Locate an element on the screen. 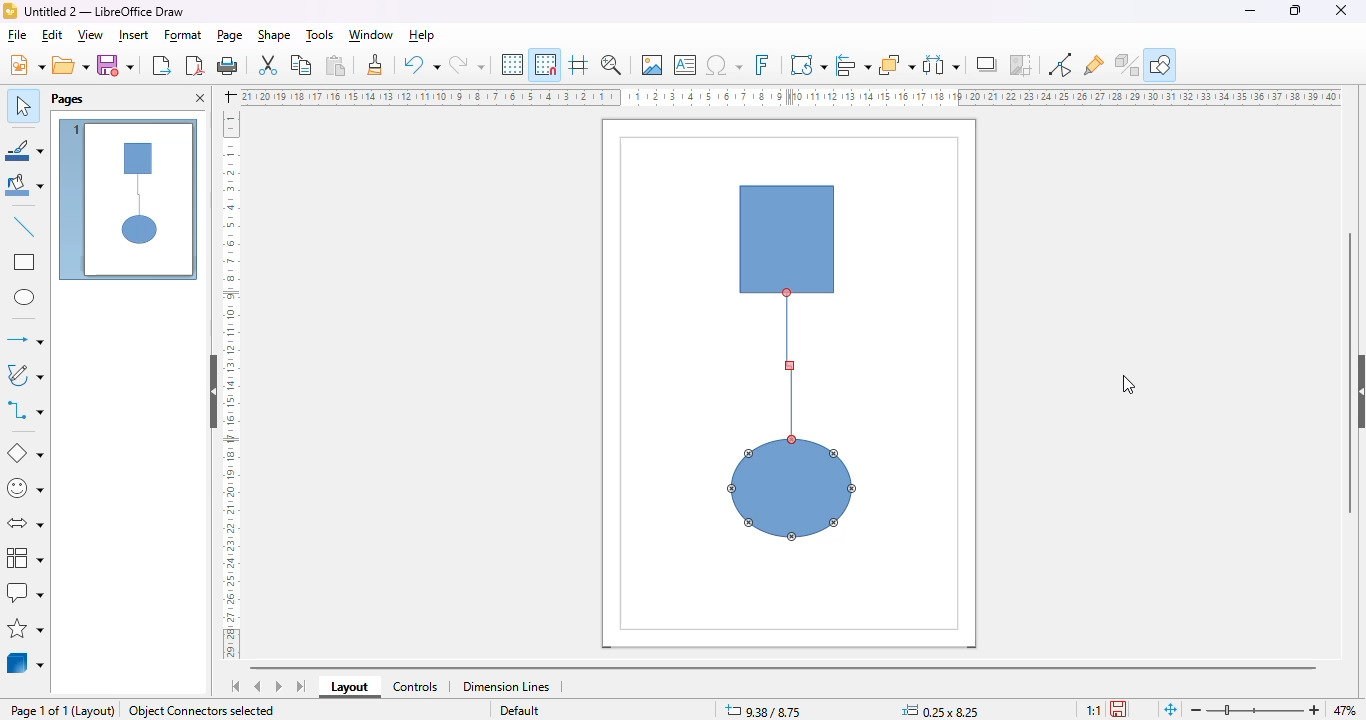 The image size is (1366, 720). close is located at coordinates (1340, 10).